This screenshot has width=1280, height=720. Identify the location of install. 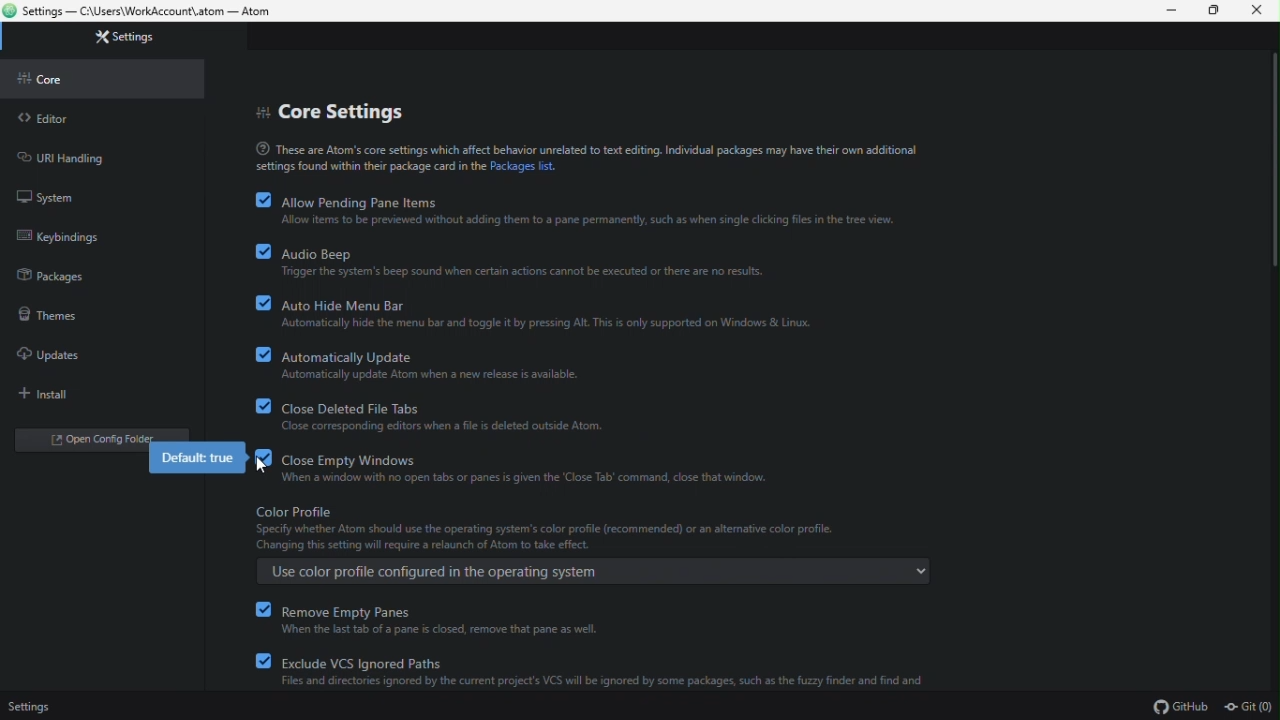
(50, 395).